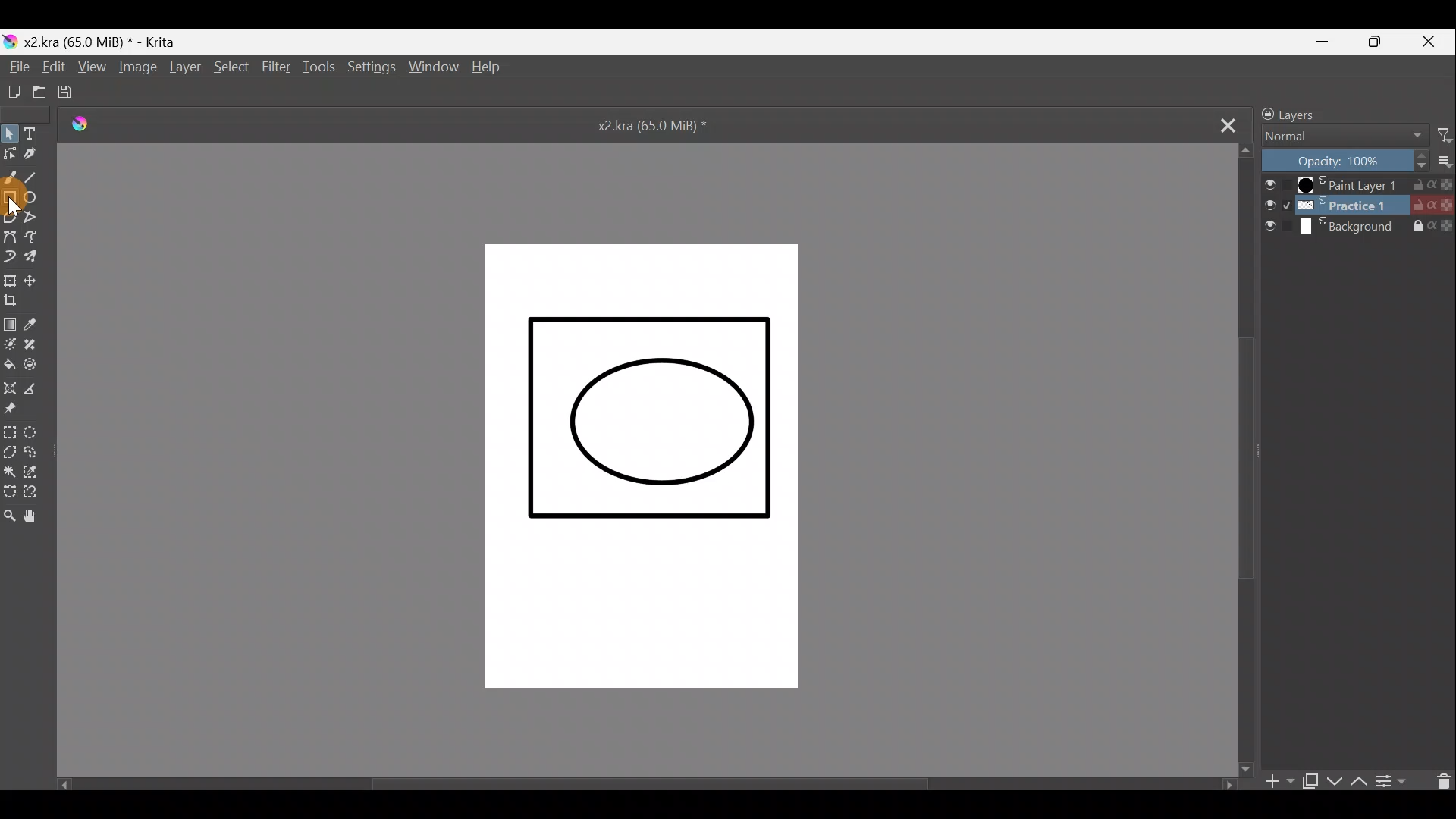 This screenshot has height=819, width=1456. What do you see at coordinates (493, 70) in the screenshot?
I see `Help` at bounding box center [493, 70].